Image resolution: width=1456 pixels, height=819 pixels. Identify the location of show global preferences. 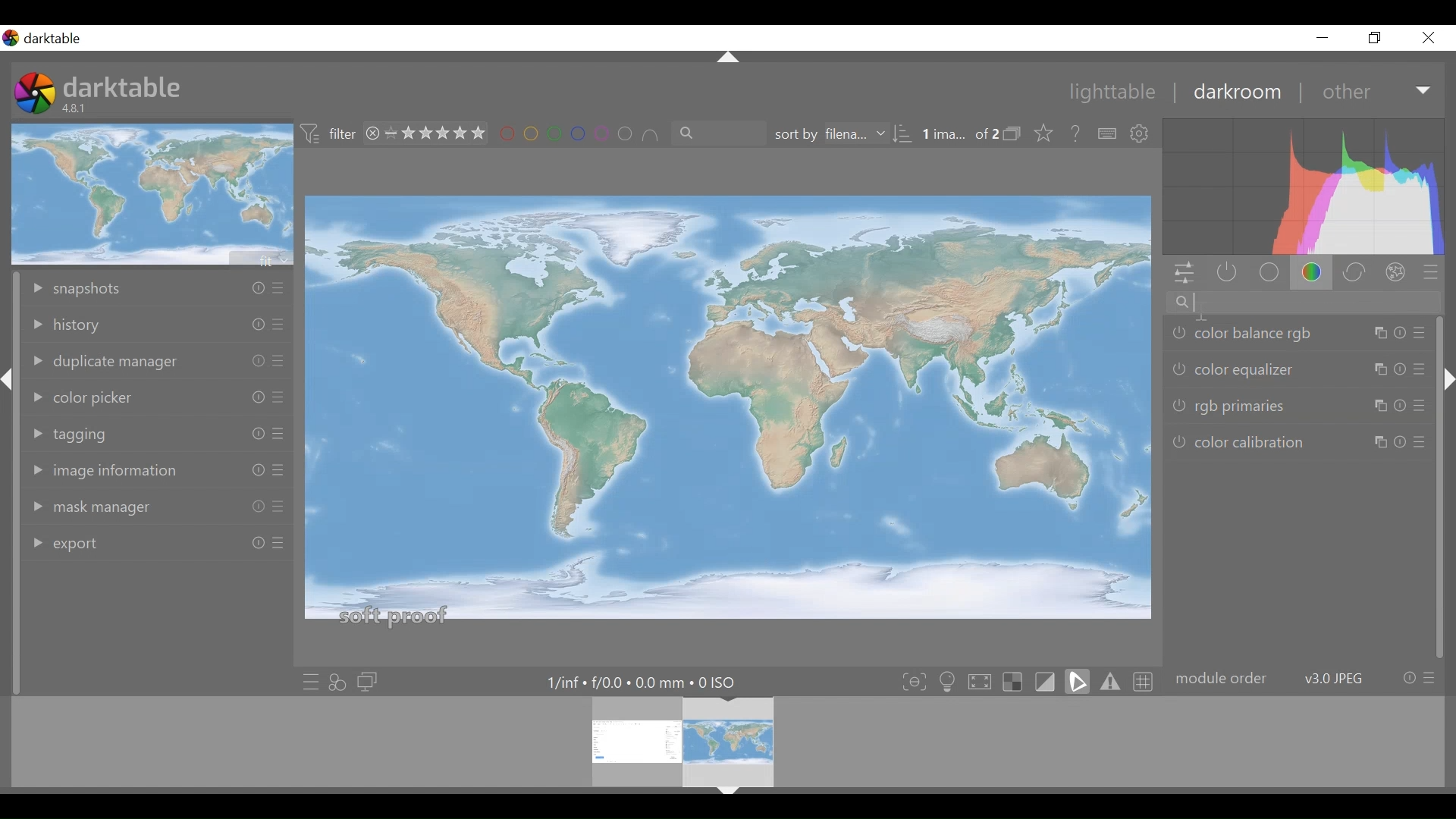
(1141, 134).